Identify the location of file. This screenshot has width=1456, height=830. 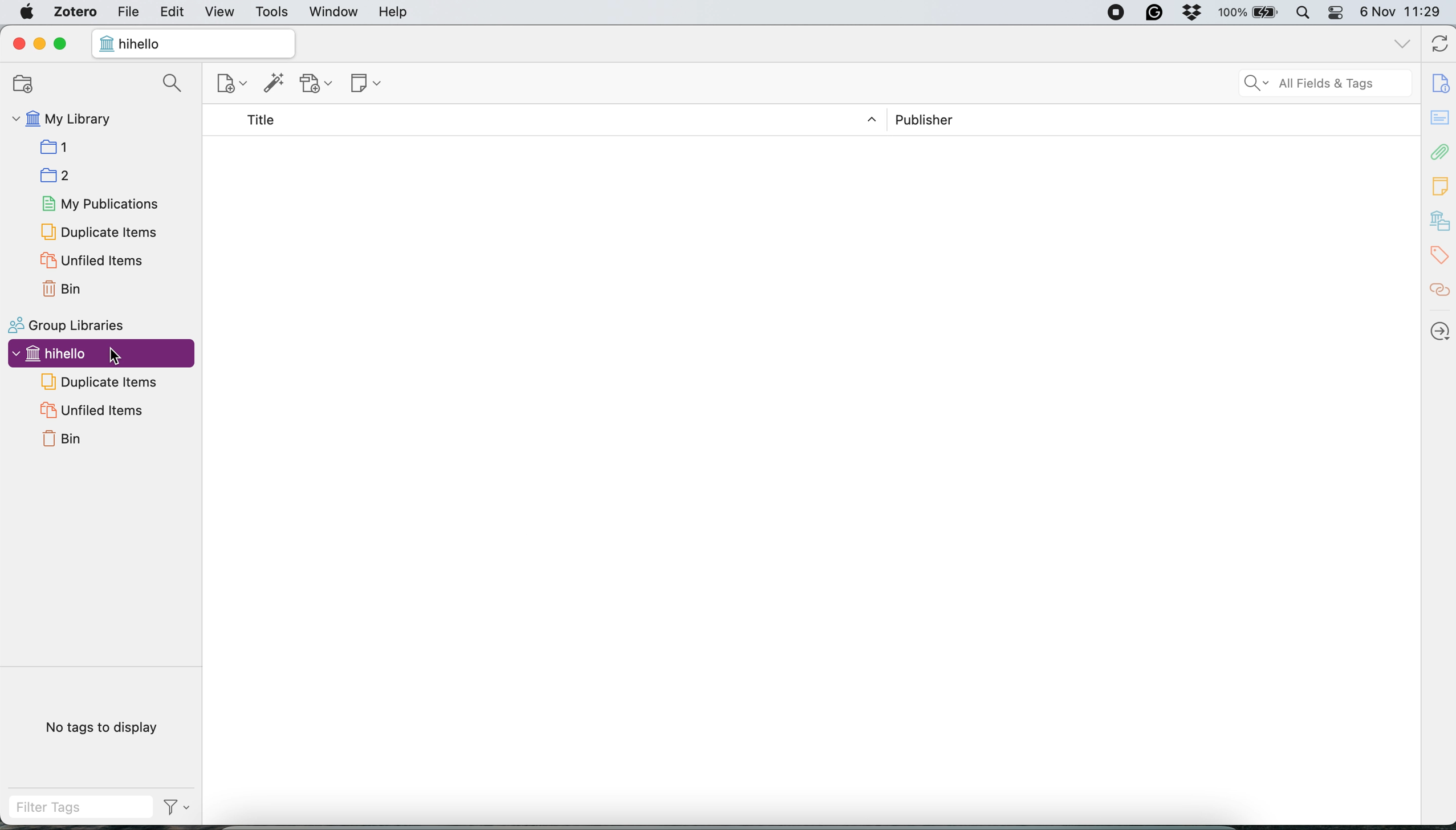
(129, 13).